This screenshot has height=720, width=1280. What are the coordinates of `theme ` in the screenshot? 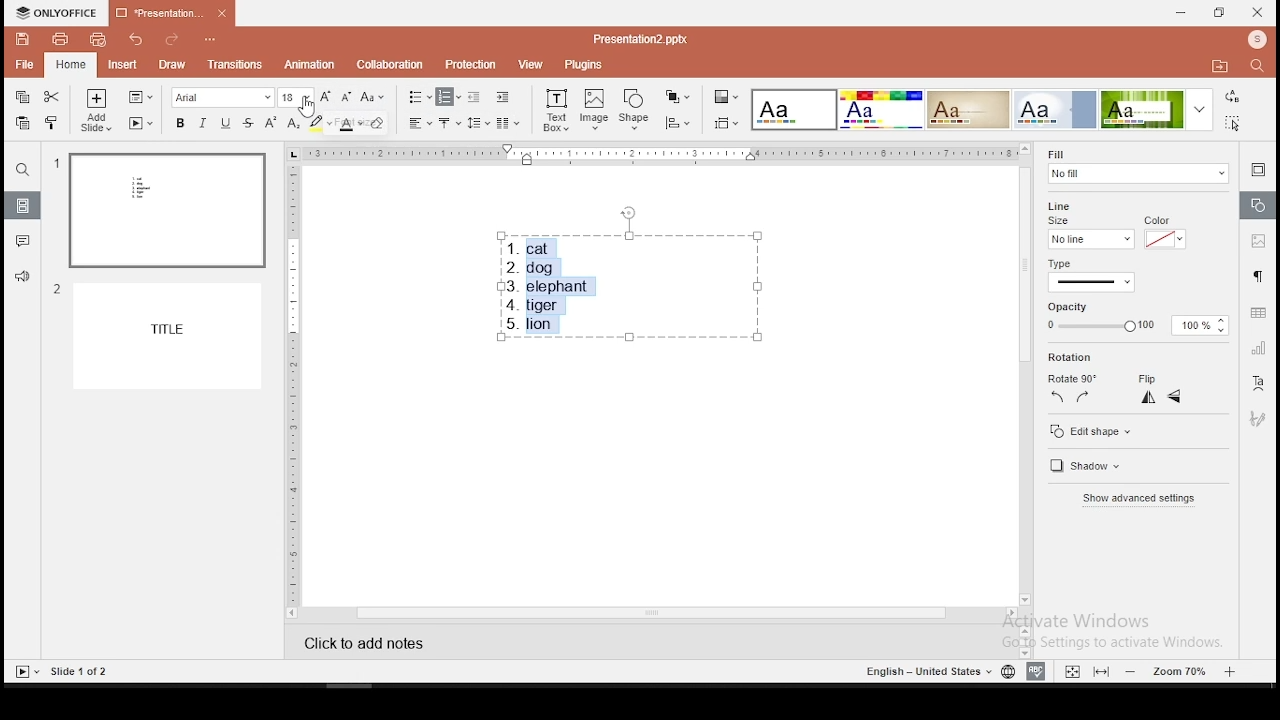 It's located at (968, 109).